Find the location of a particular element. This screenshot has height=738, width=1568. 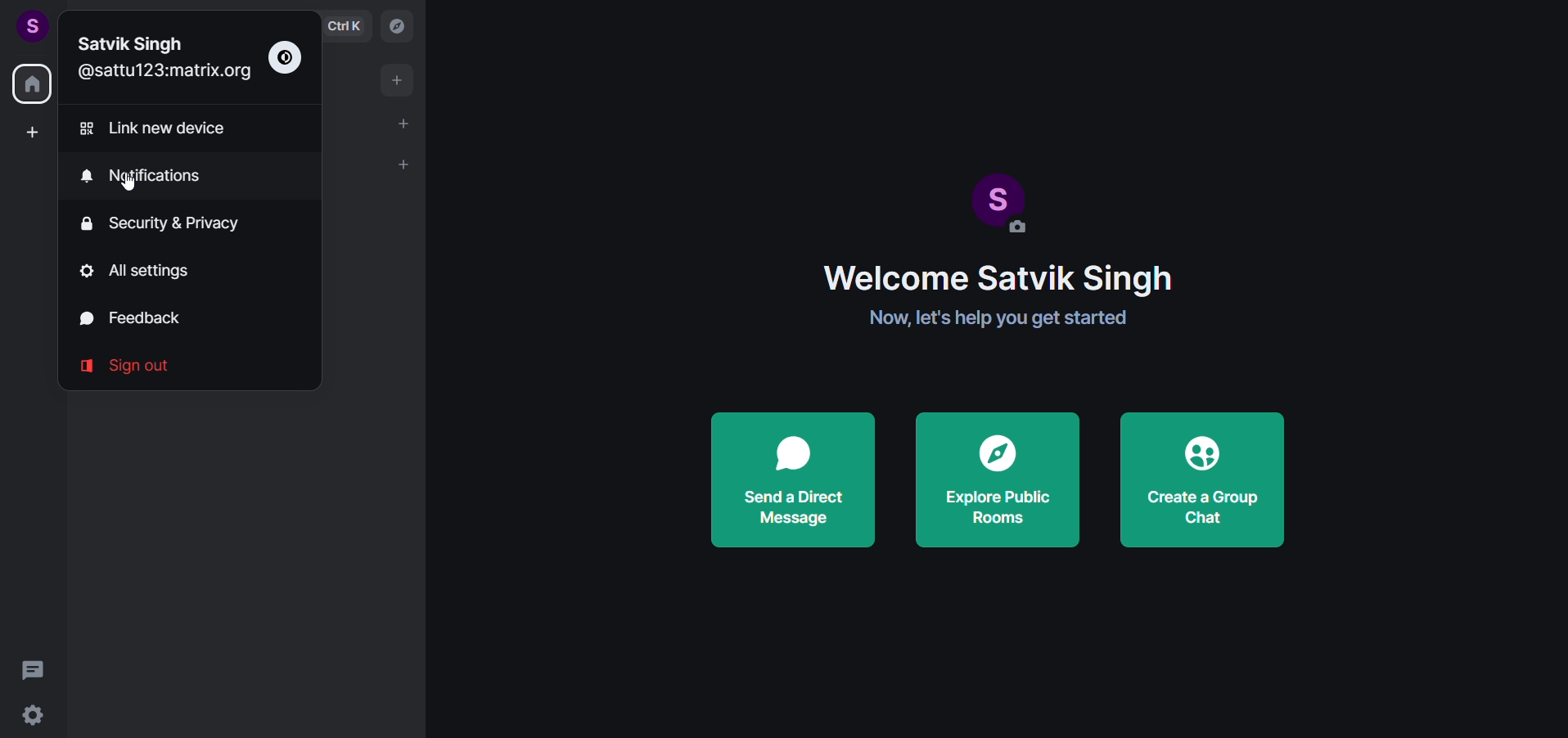

feedback is located at coordinates (134, 322).